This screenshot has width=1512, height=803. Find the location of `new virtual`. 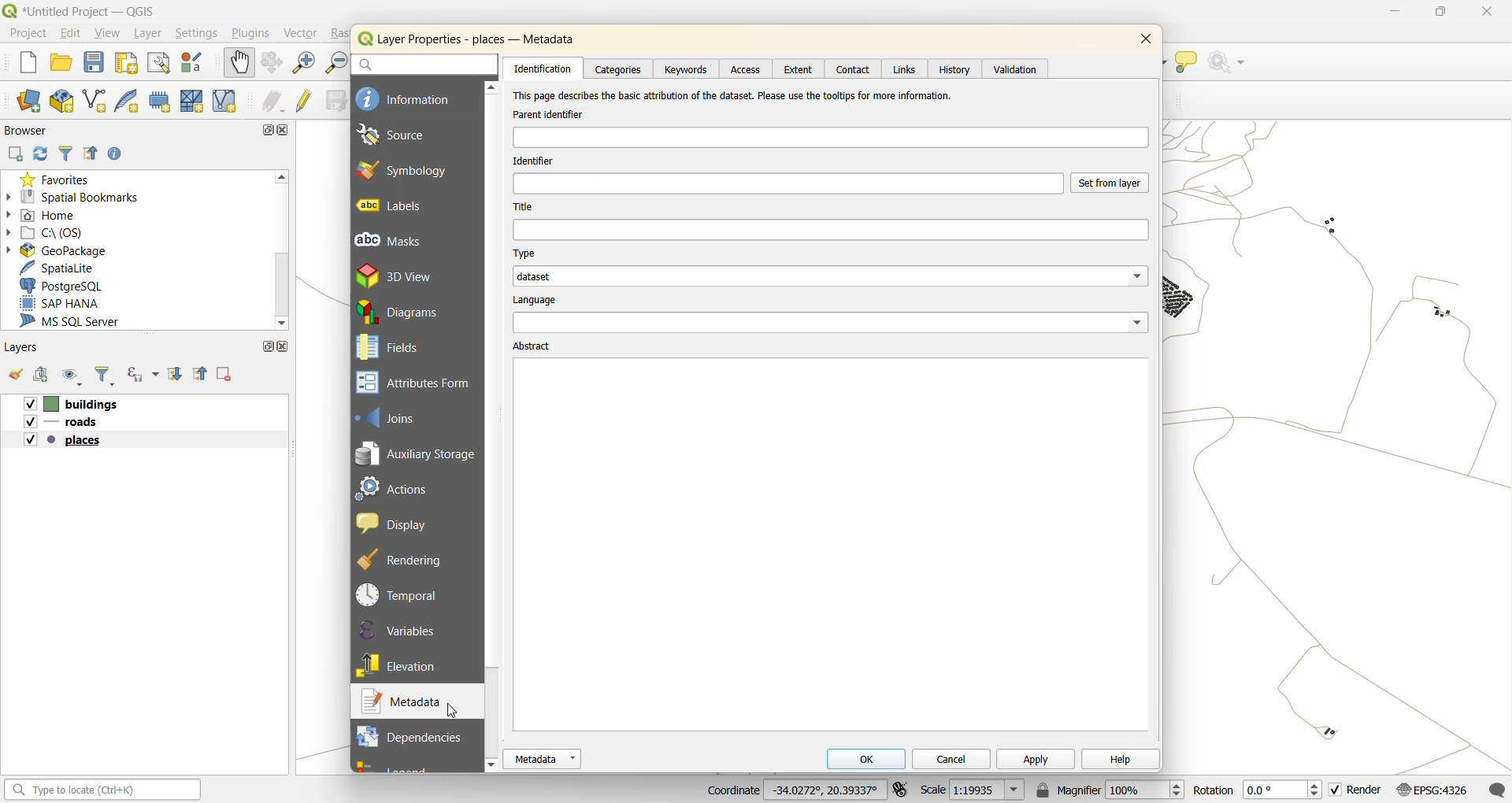

new virtual is located at coordinates (228, 102).